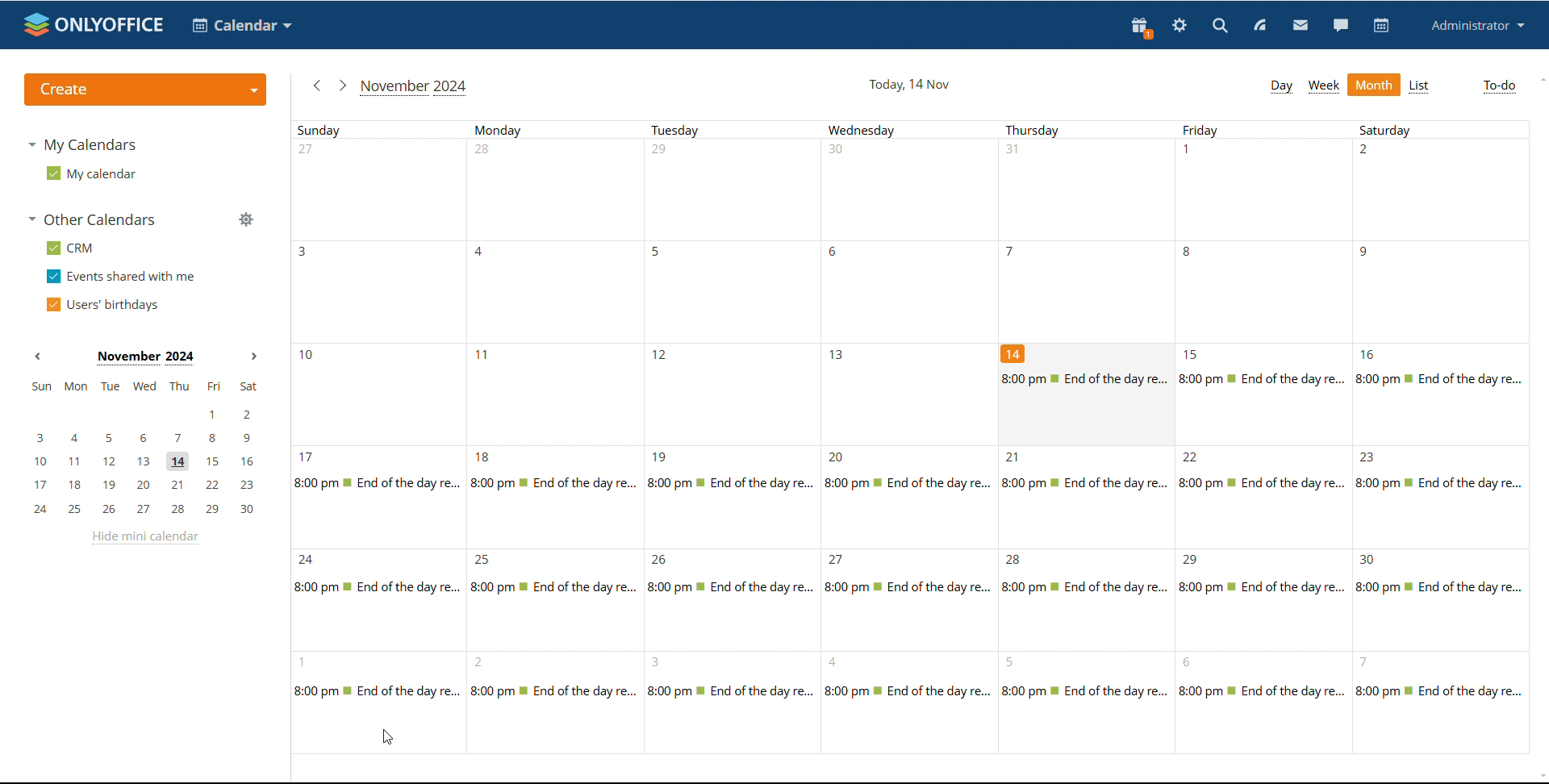 Image resolution: width=1549 pixels, height=784 pixels. I want to click on scroll up, so click(1539, 80).